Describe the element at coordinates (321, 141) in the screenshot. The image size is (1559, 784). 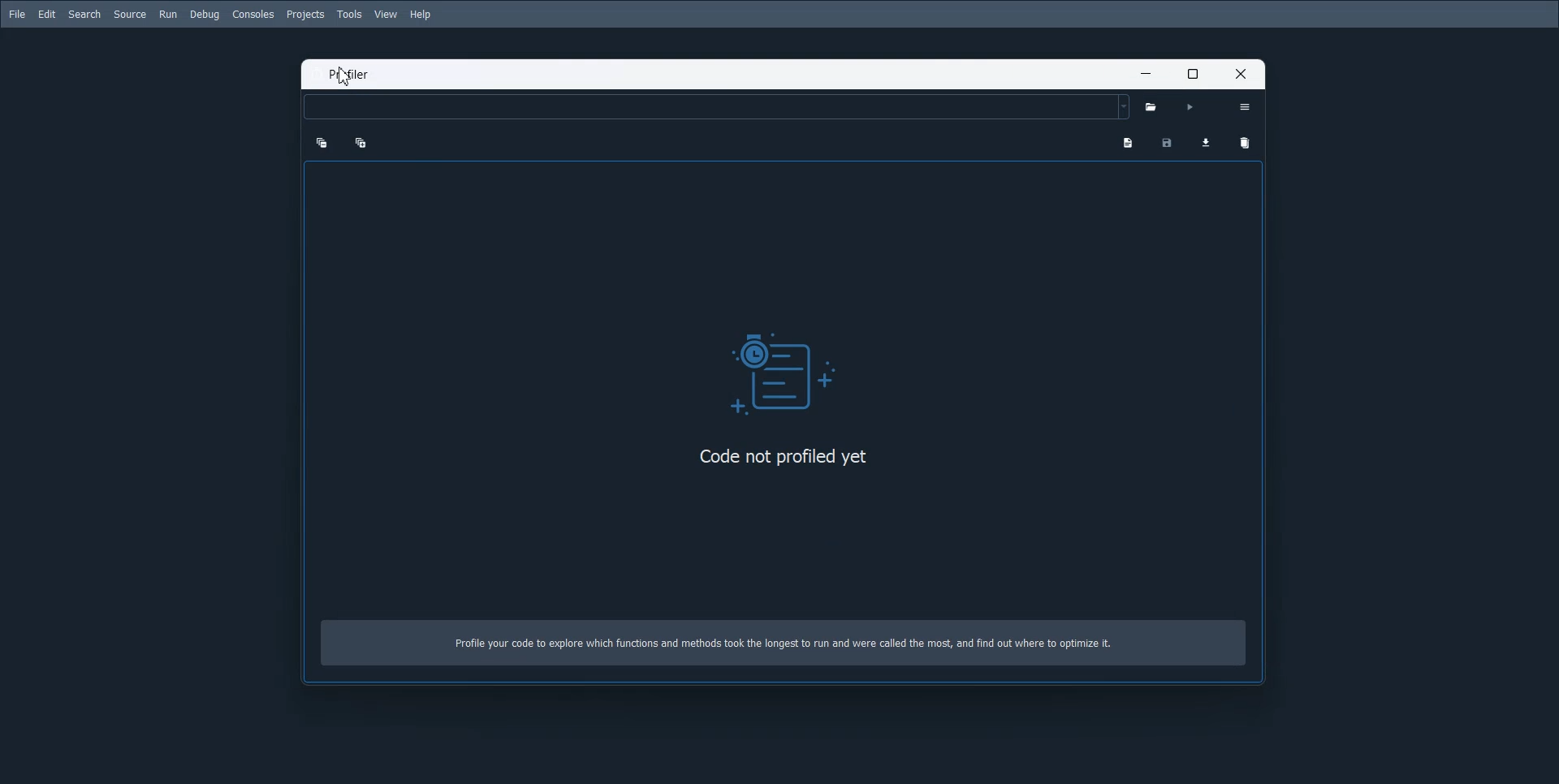
I see `Collapse one level up` at that location.